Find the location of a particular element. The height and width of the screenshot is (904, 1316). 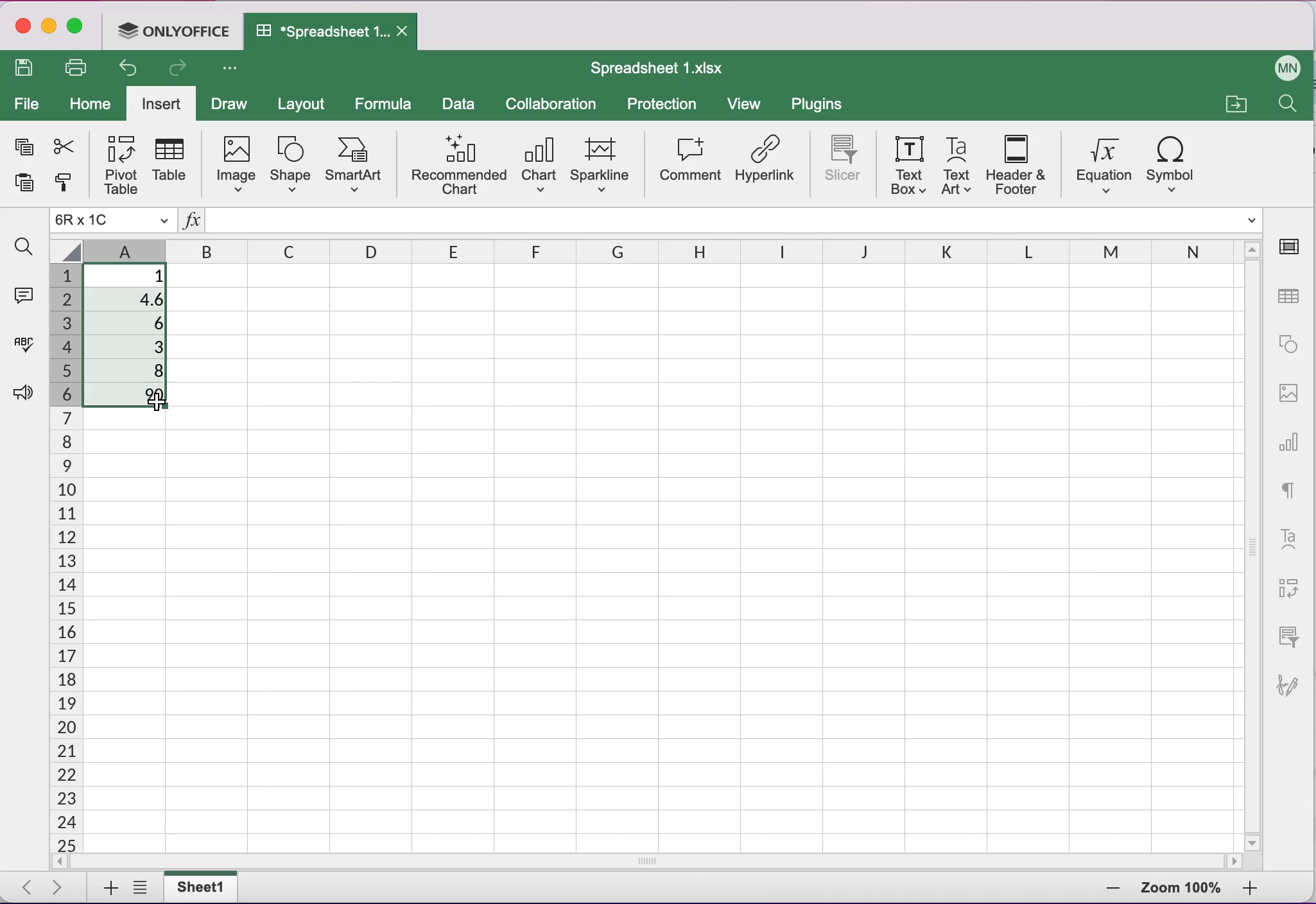

4.6 is located at coordinates (134, 302).